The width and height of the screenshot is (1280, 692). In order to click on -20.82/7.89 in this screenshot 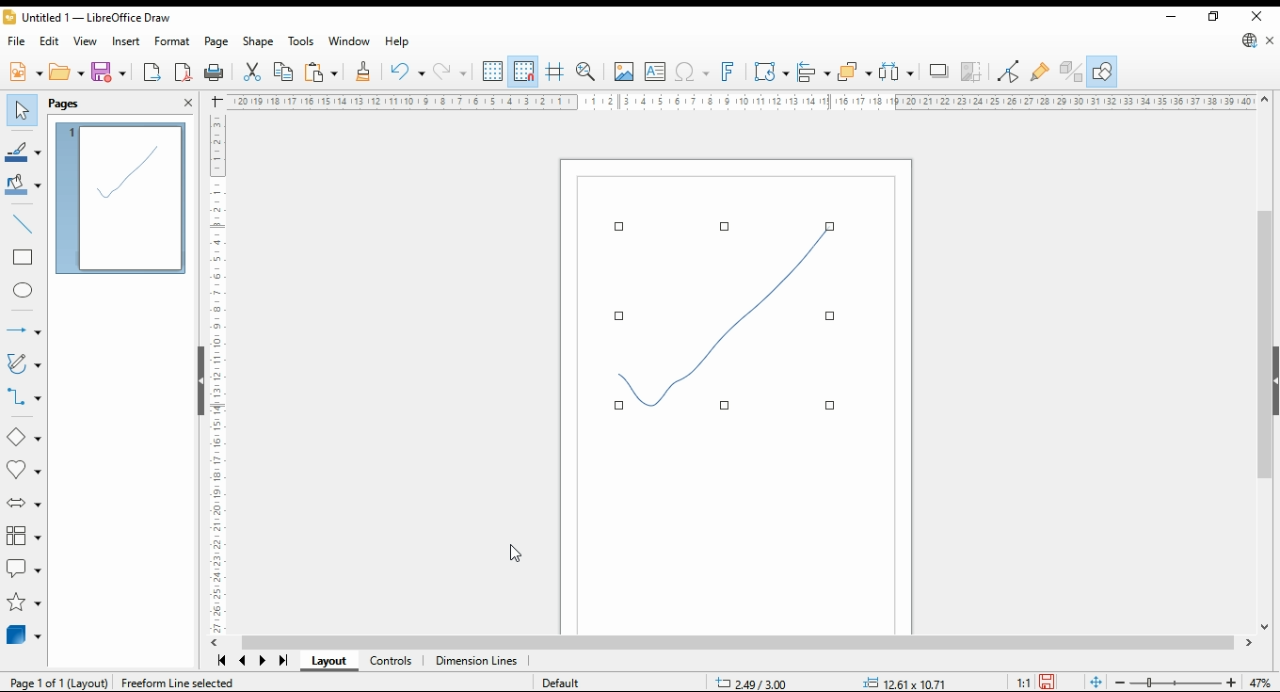, I will do `click(758, 684)`.